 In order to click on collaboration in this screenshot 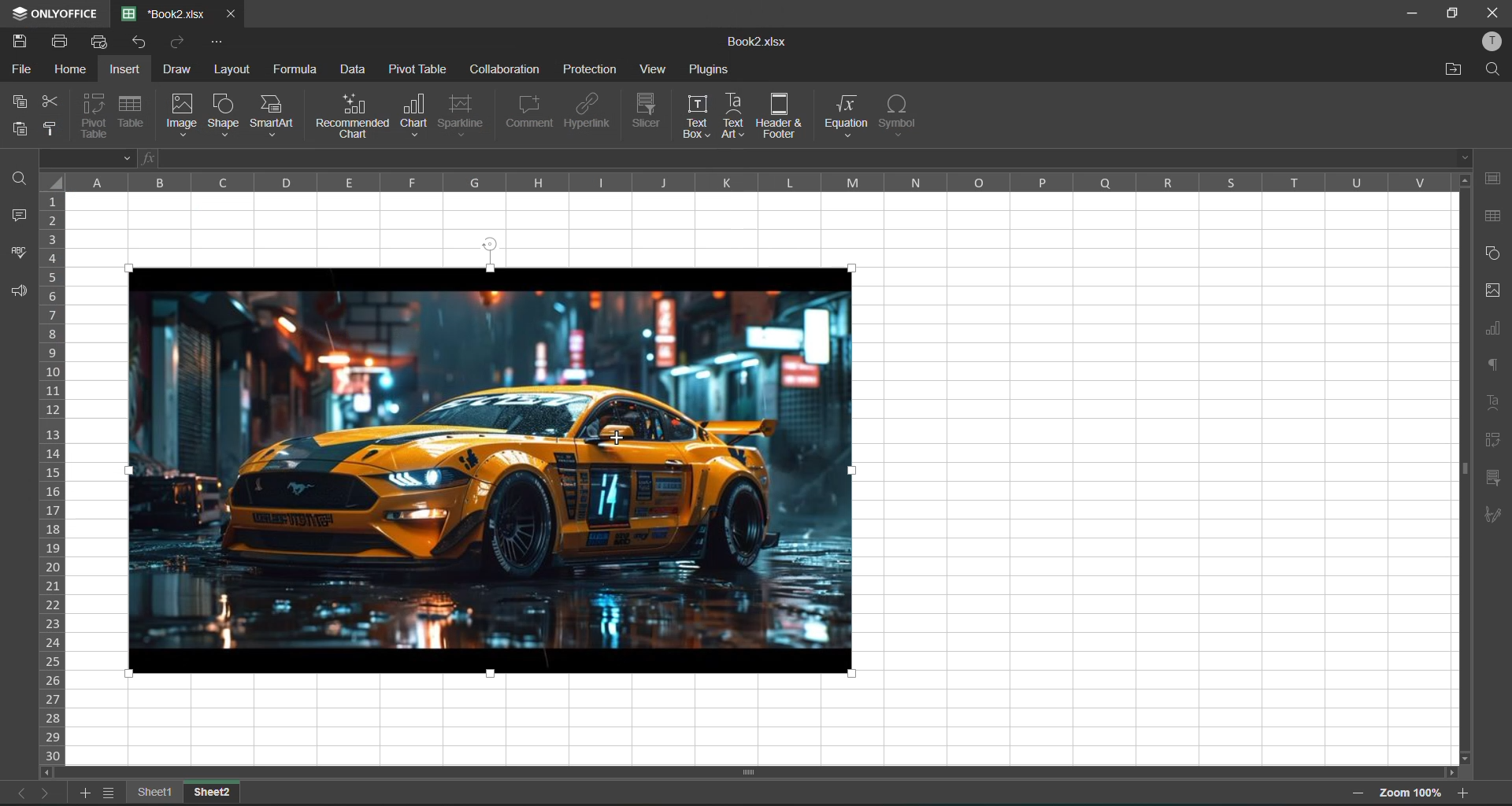, I will do `click(505, 68)`.